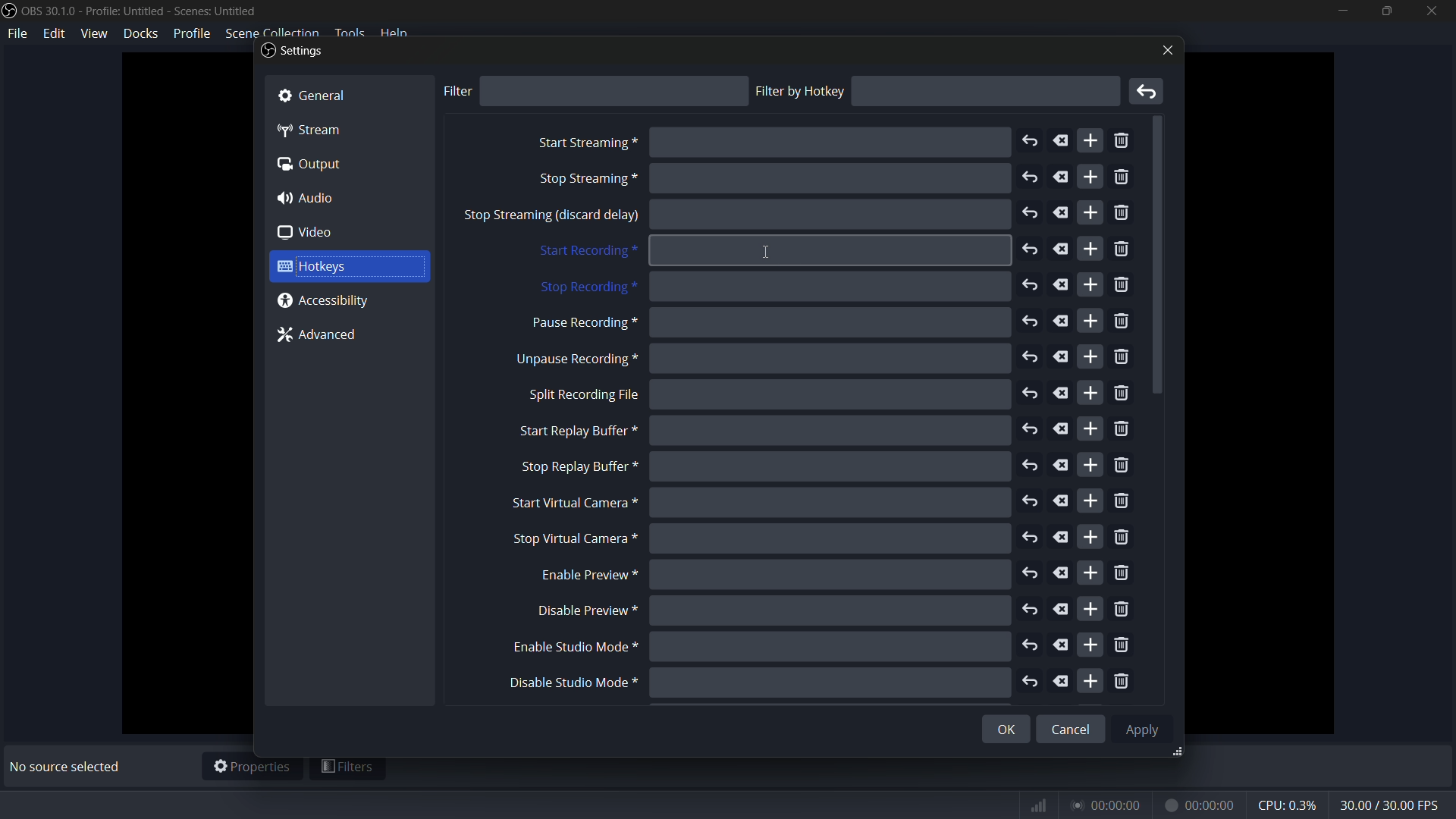 The width and height of the screenshot is (1456, 819). What do you see at coordinates (571, 539) in the screenshot?
I see `stop virtual camera` at bounding box center [571, 539].